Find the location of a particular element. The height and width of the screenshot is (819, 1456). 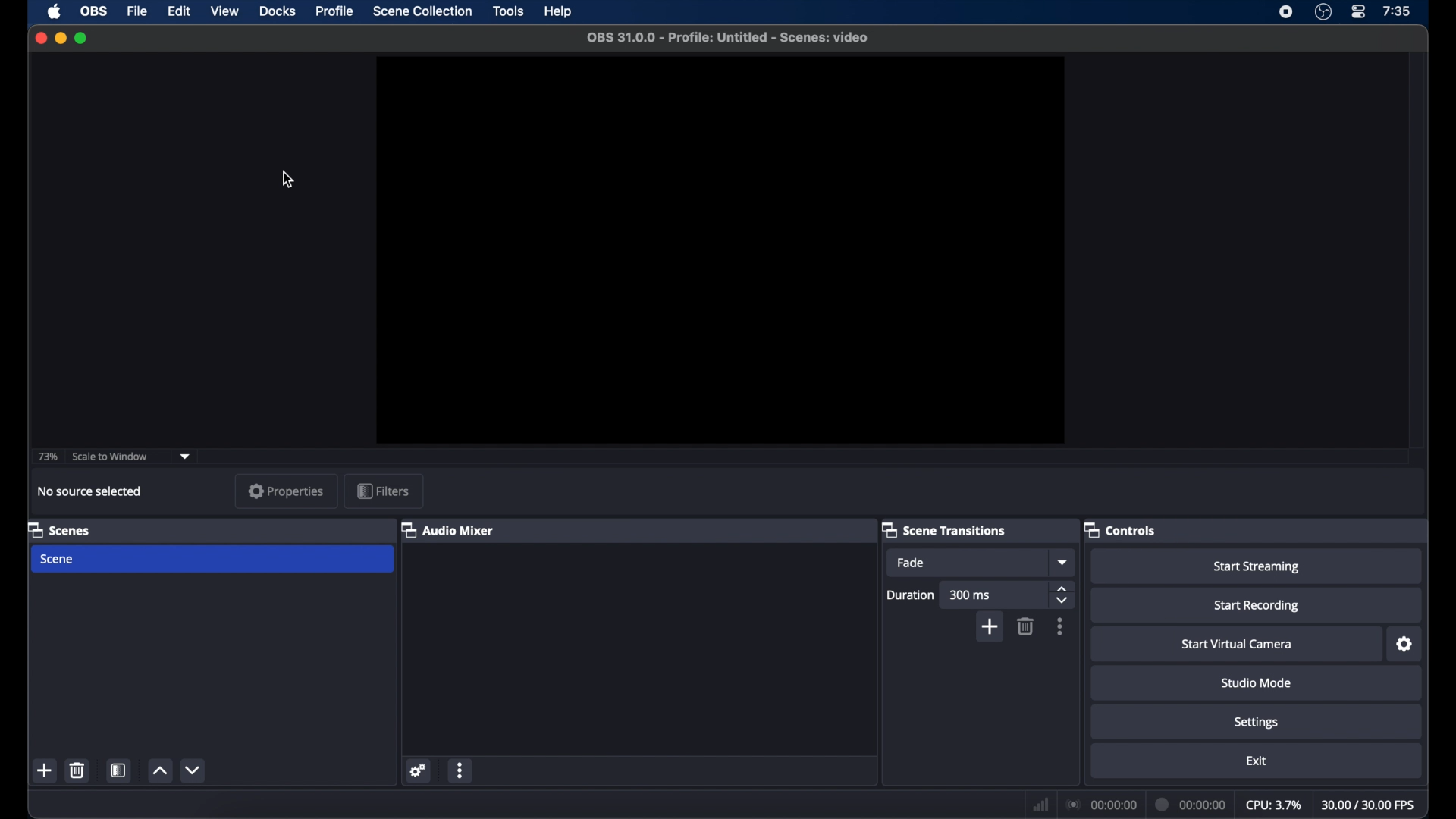

cursor is located at coordinates (288, 180).